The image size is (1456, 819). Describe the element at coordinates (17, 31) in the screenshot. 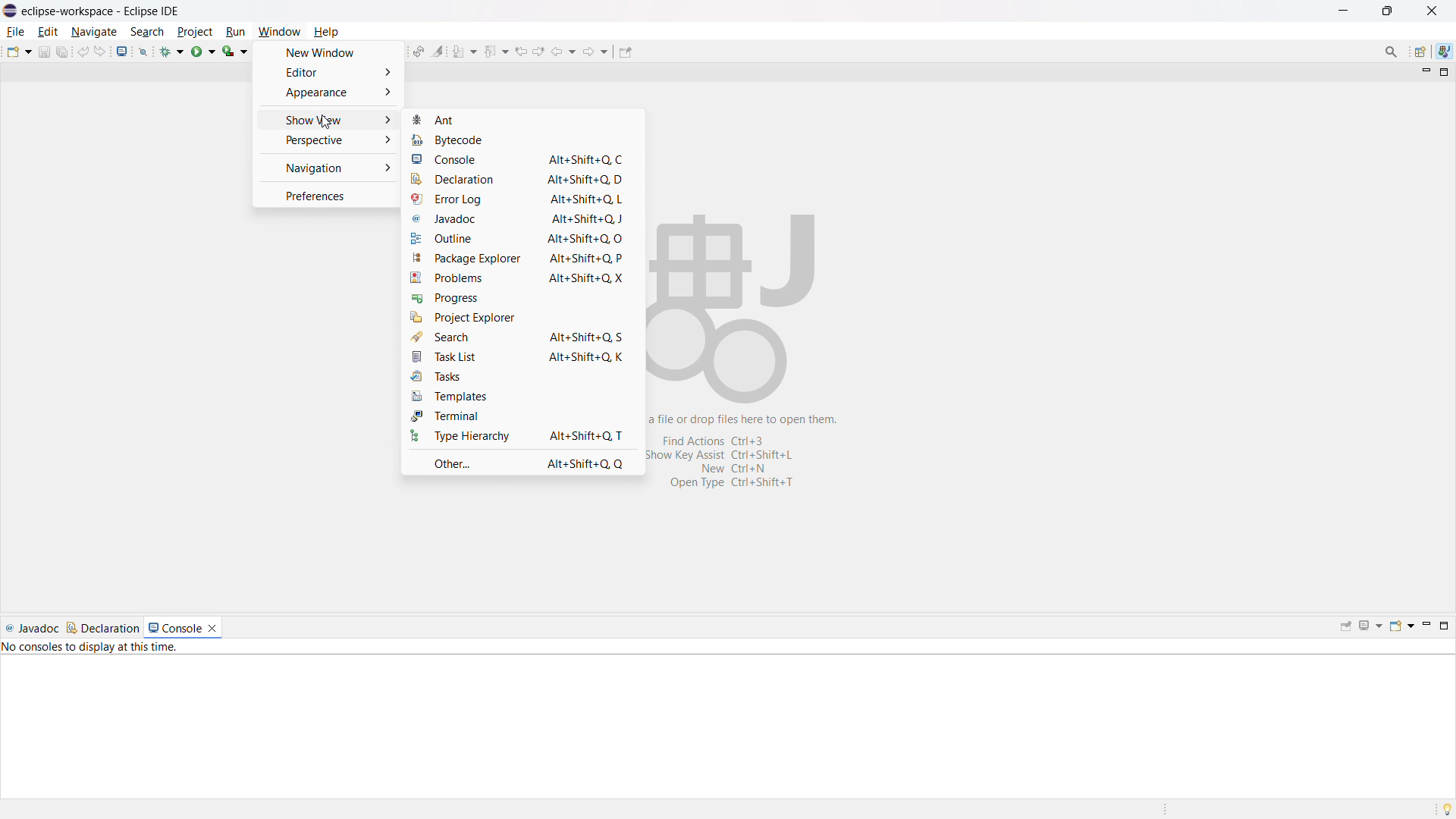

I see `file` at that location.